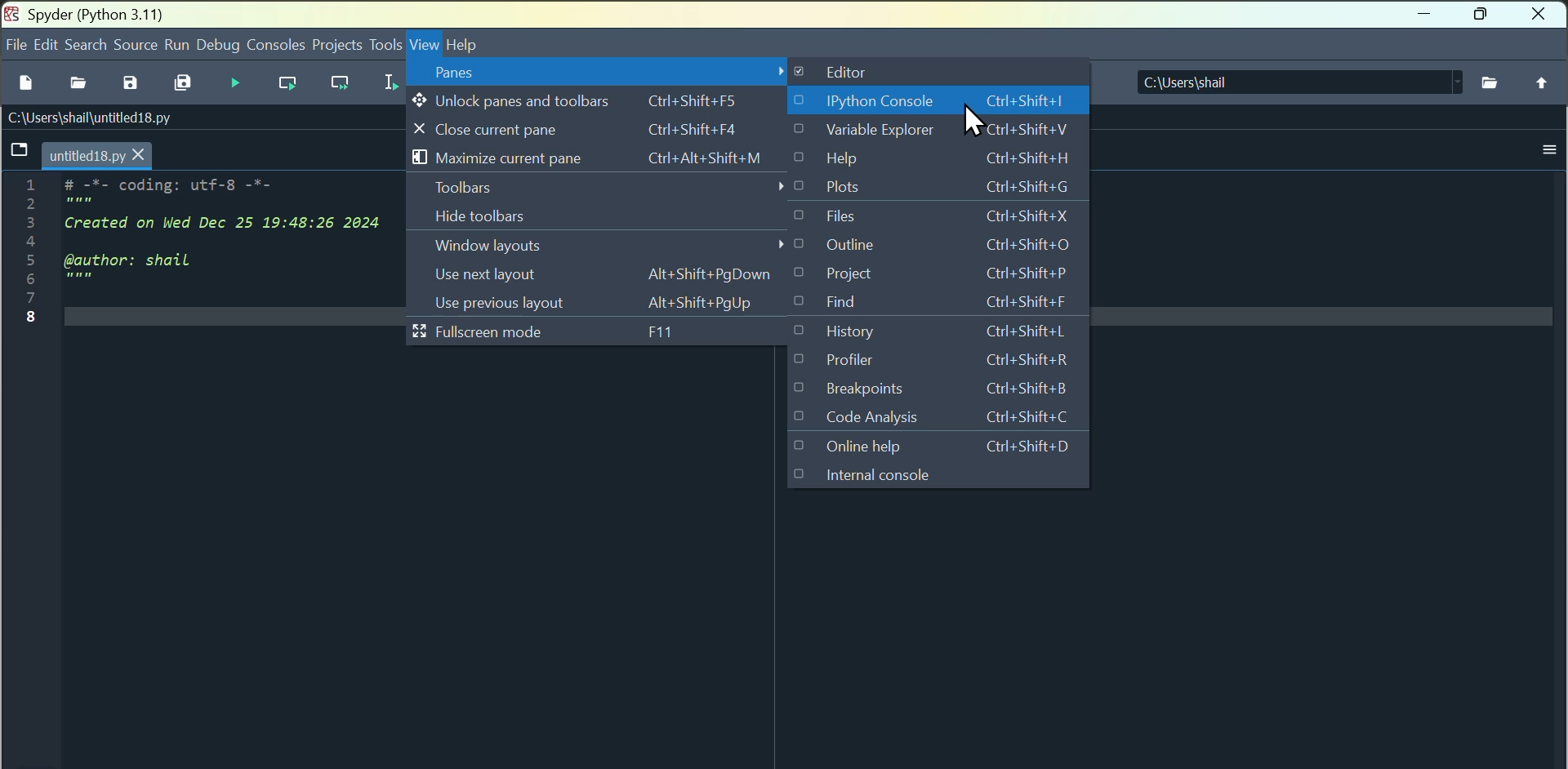 This screenshot has height=769, width=1568. I want to click on Cursor, so click(975, 120).